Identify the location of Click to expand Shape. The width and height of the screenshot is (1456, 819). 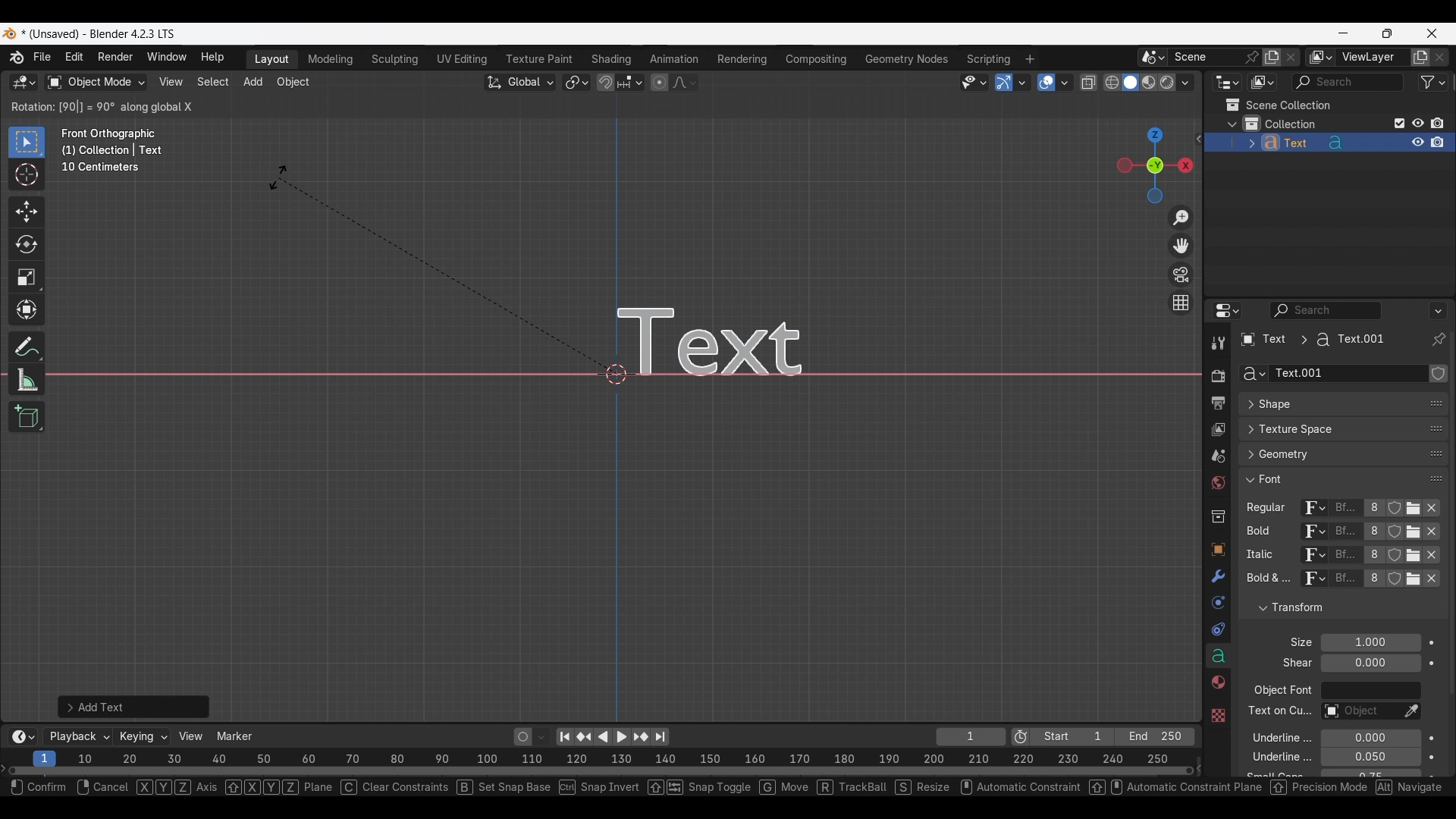
(1327, 405).